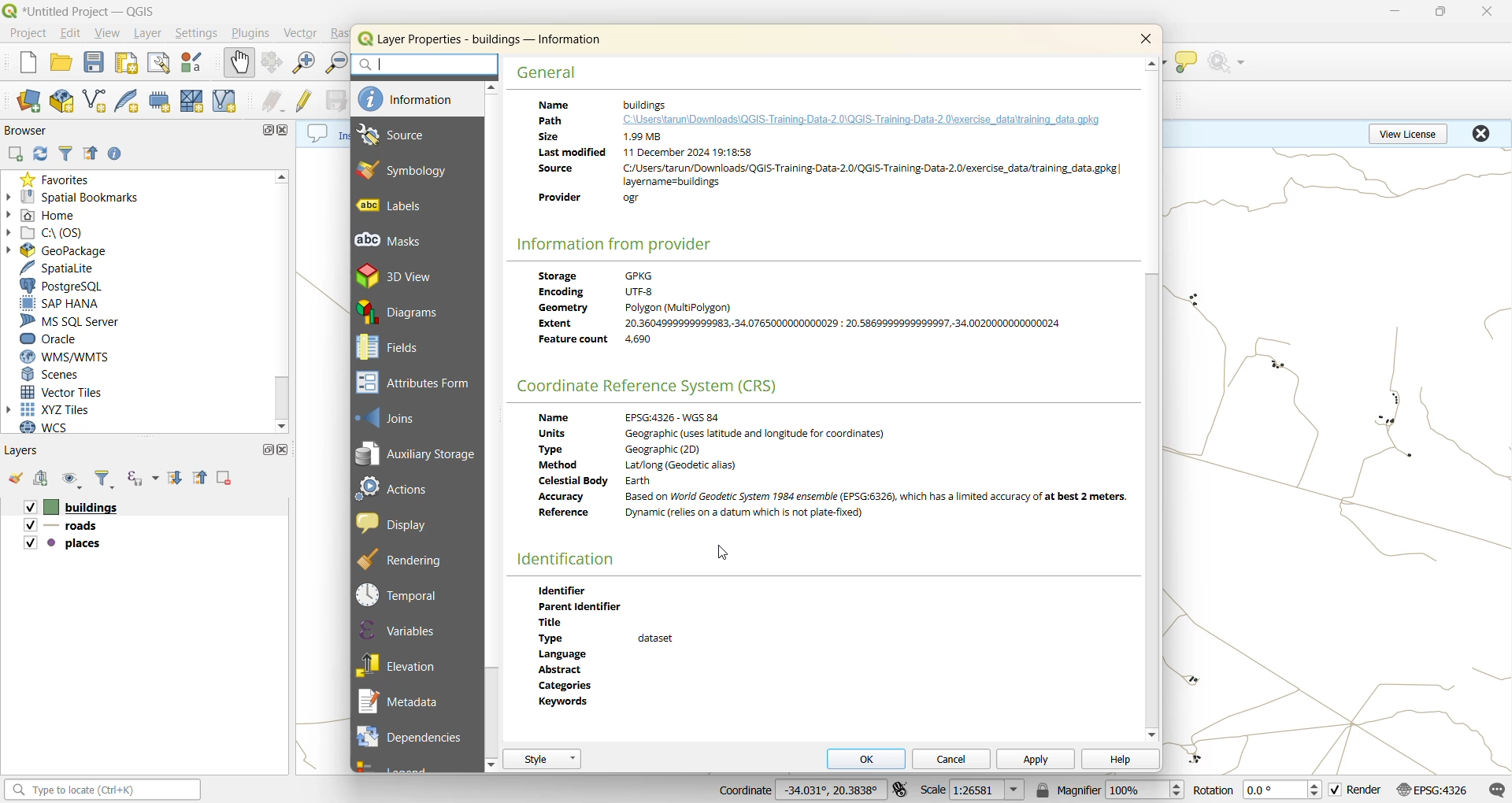  What do you see at coordinates (389, 415) in the screenshot?
I see `joins` at bounding box center [389, 415].